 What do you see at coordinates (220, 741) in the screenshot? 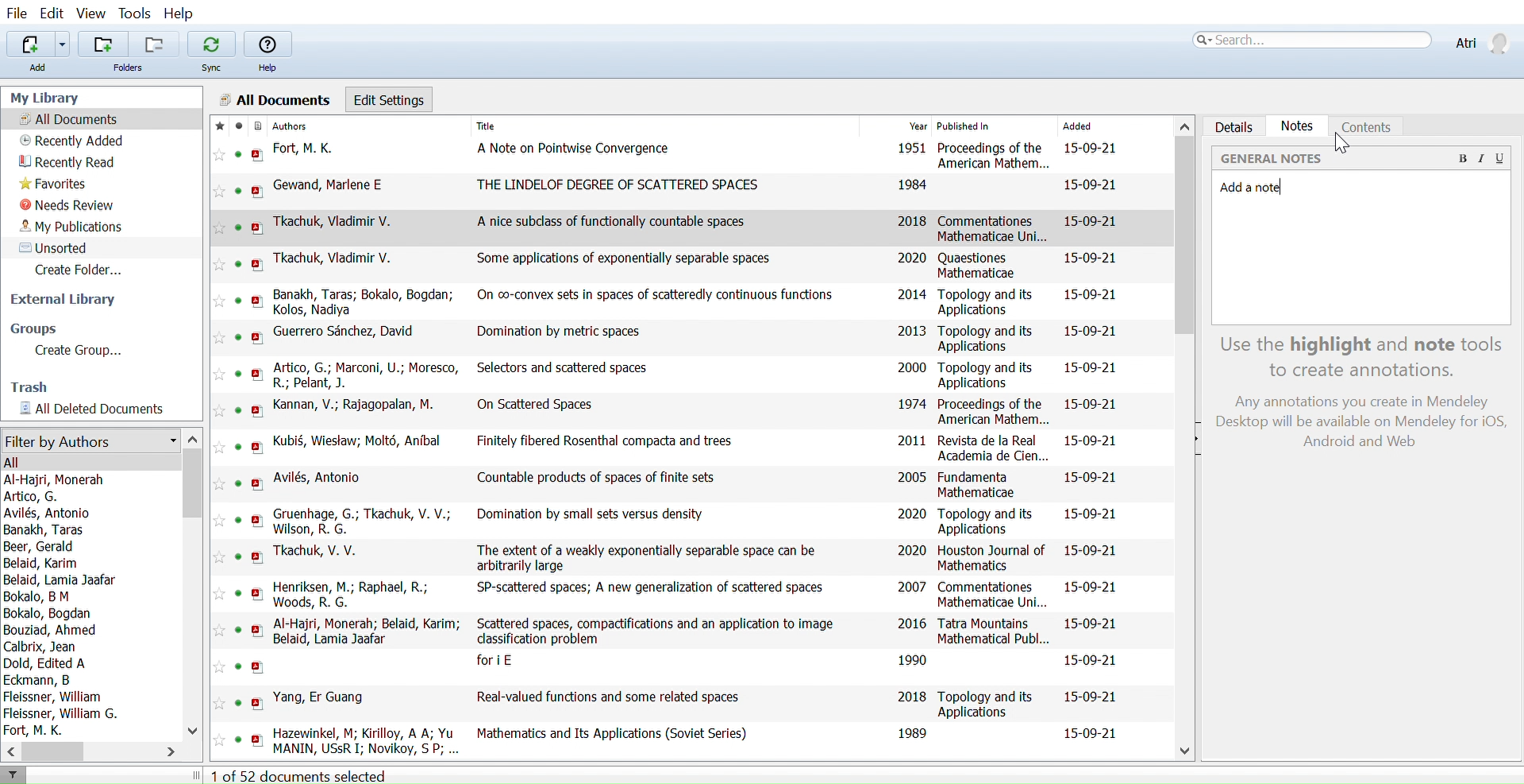
I see `Add this reference to favorites` at bounding box center [220, 741].